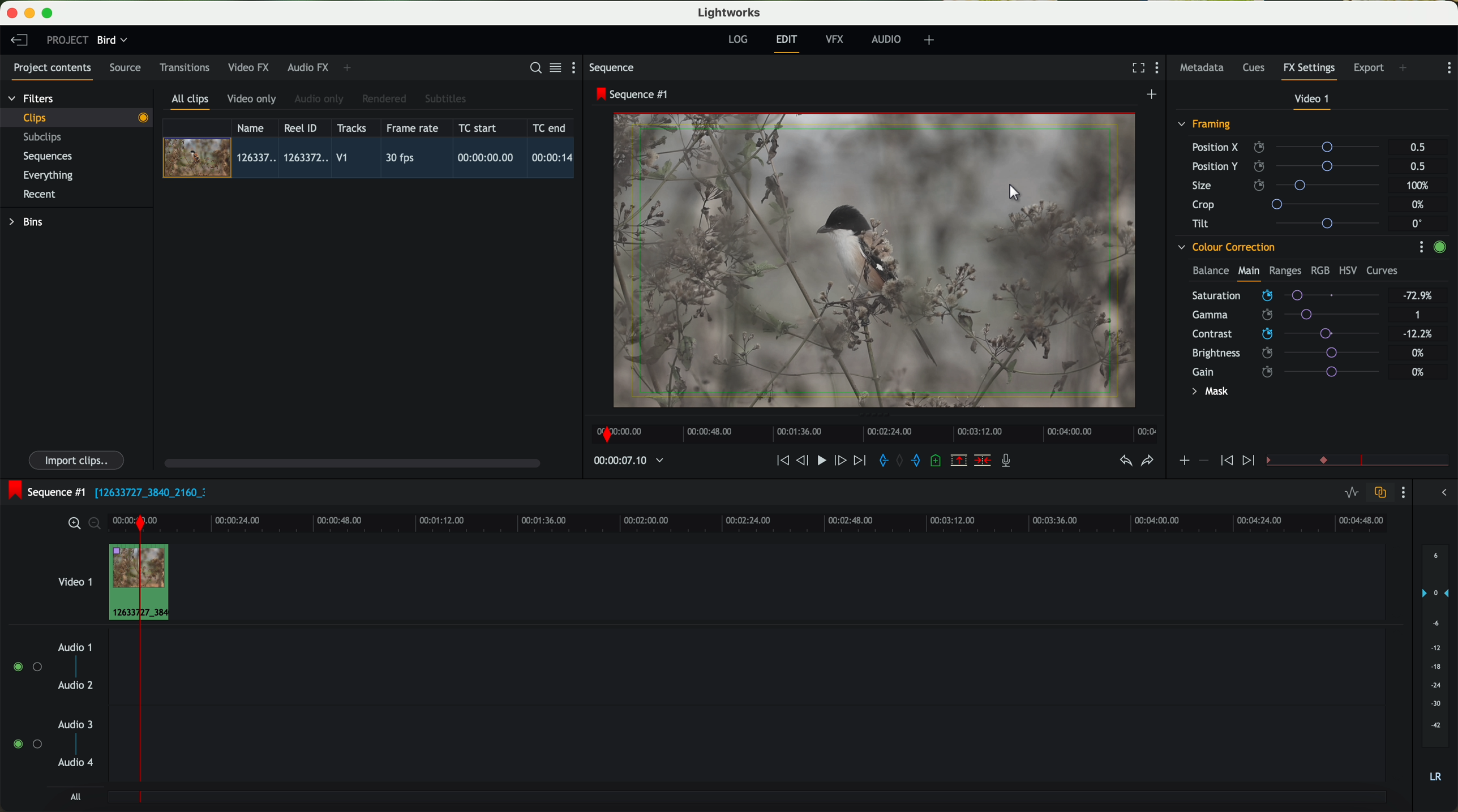 This screenshot has width=1458, height=812. What do you see at coordinates (72, 524) in the screenshot?
I see `zoom in` at bounding box center [72, 524].